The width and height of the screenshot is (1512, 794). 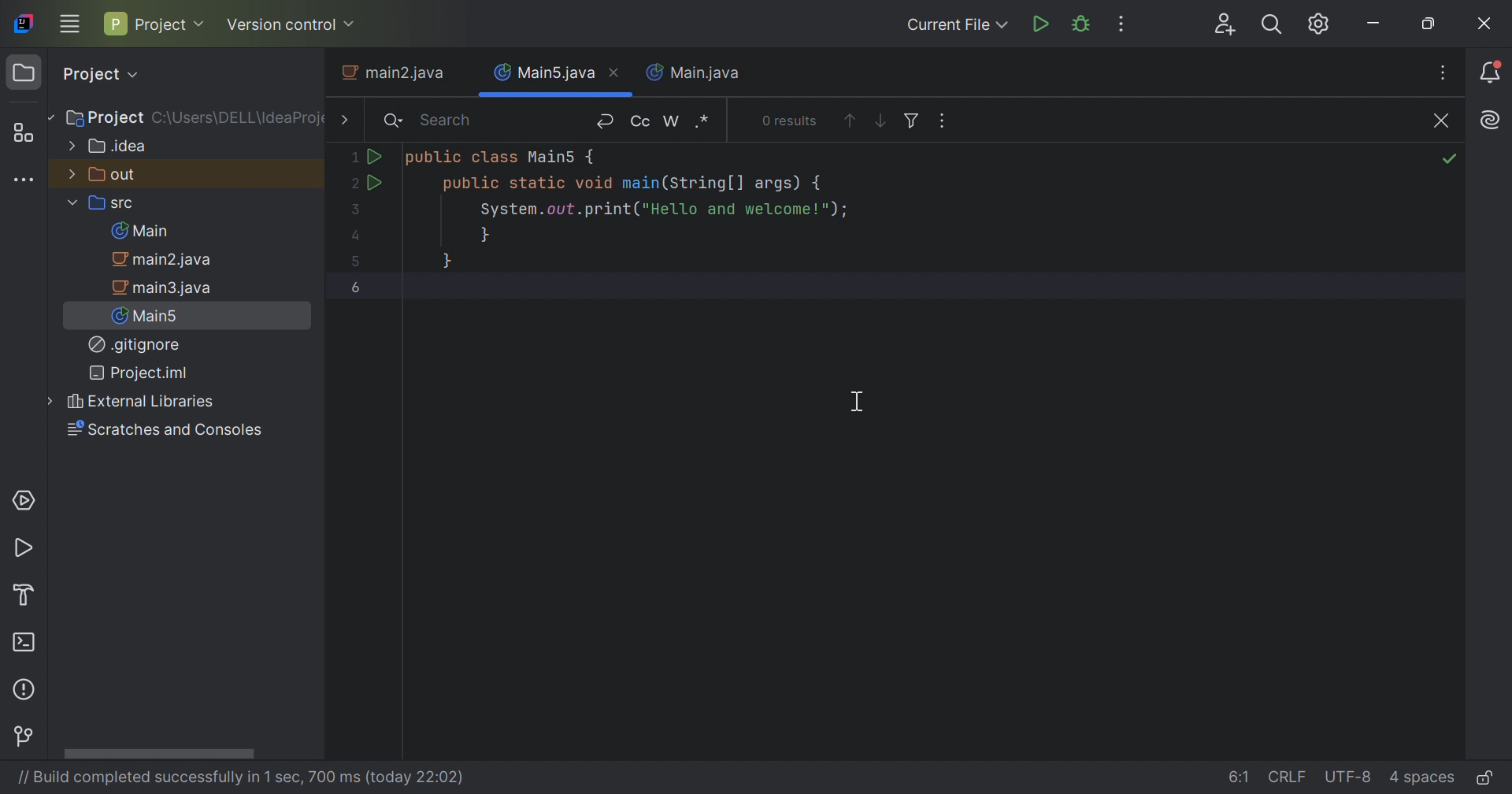 What do you see at coordinates (26, 738) in the screenshot?
I see `Version Control` at bounding box center [26, 738].